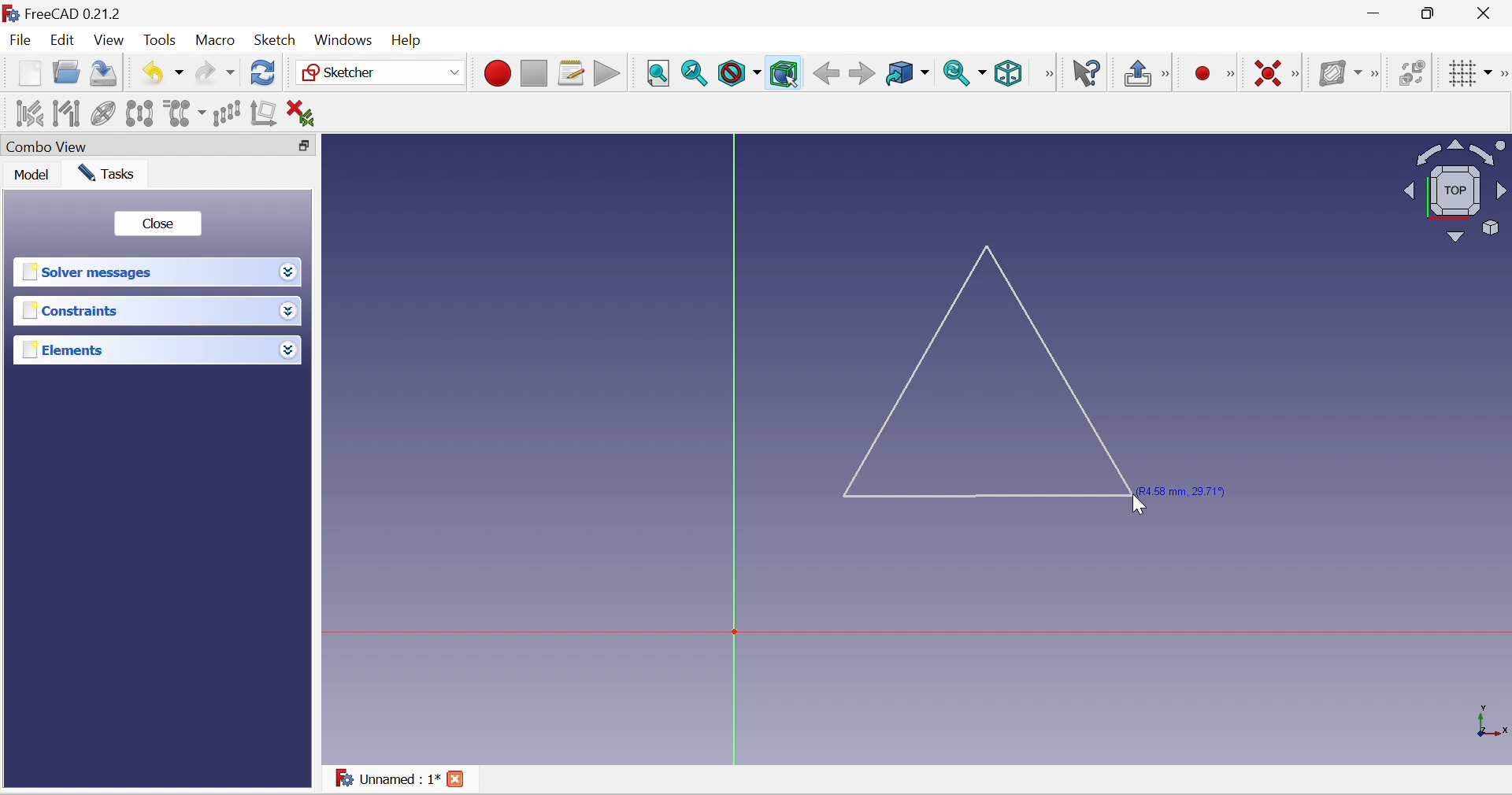 This screenshot has height=795, width=1512. I want to click on Back, so click(827, 74).